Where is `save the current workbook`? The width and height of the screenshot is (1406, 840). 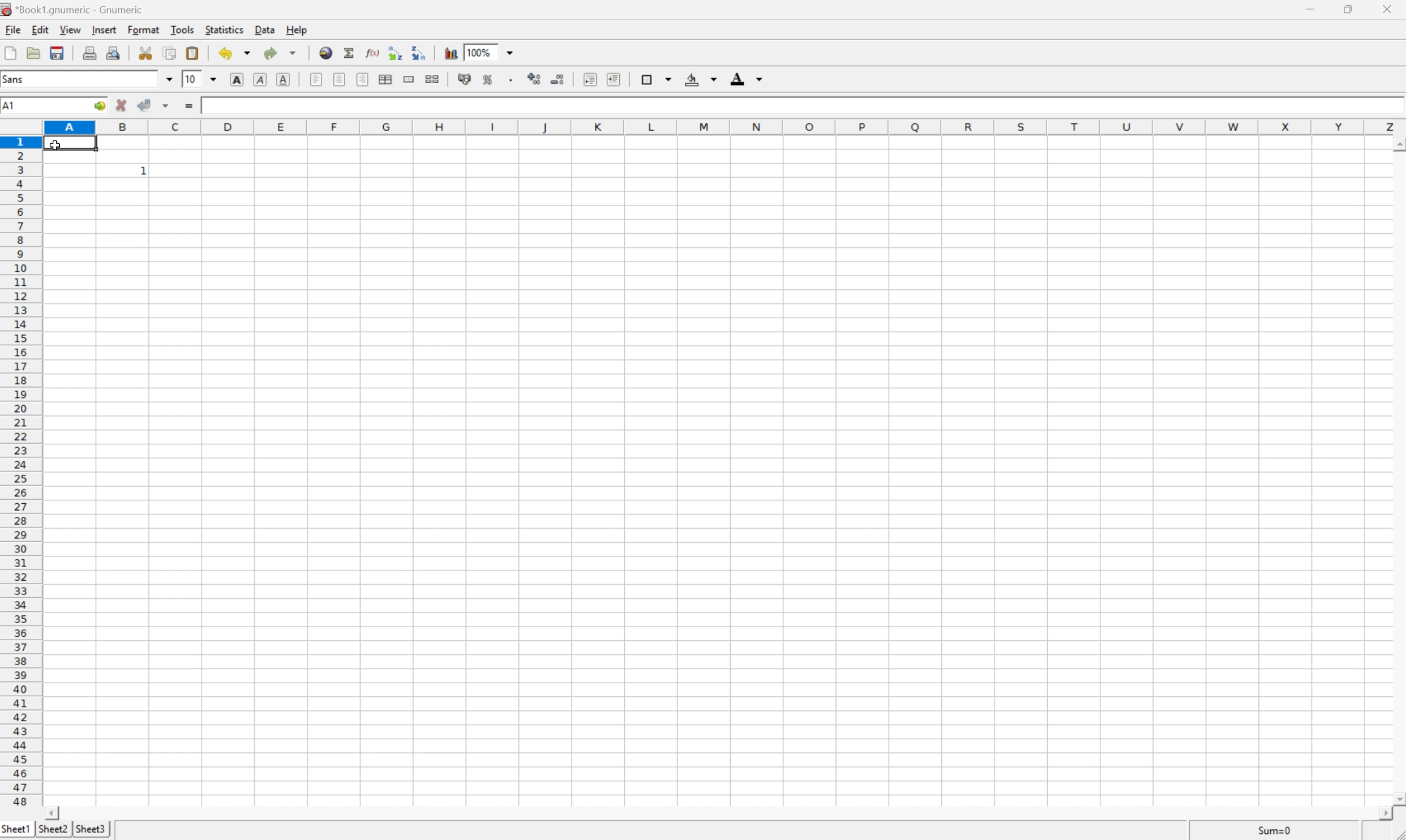
save the current workbook is located at coordinates (59, 55).